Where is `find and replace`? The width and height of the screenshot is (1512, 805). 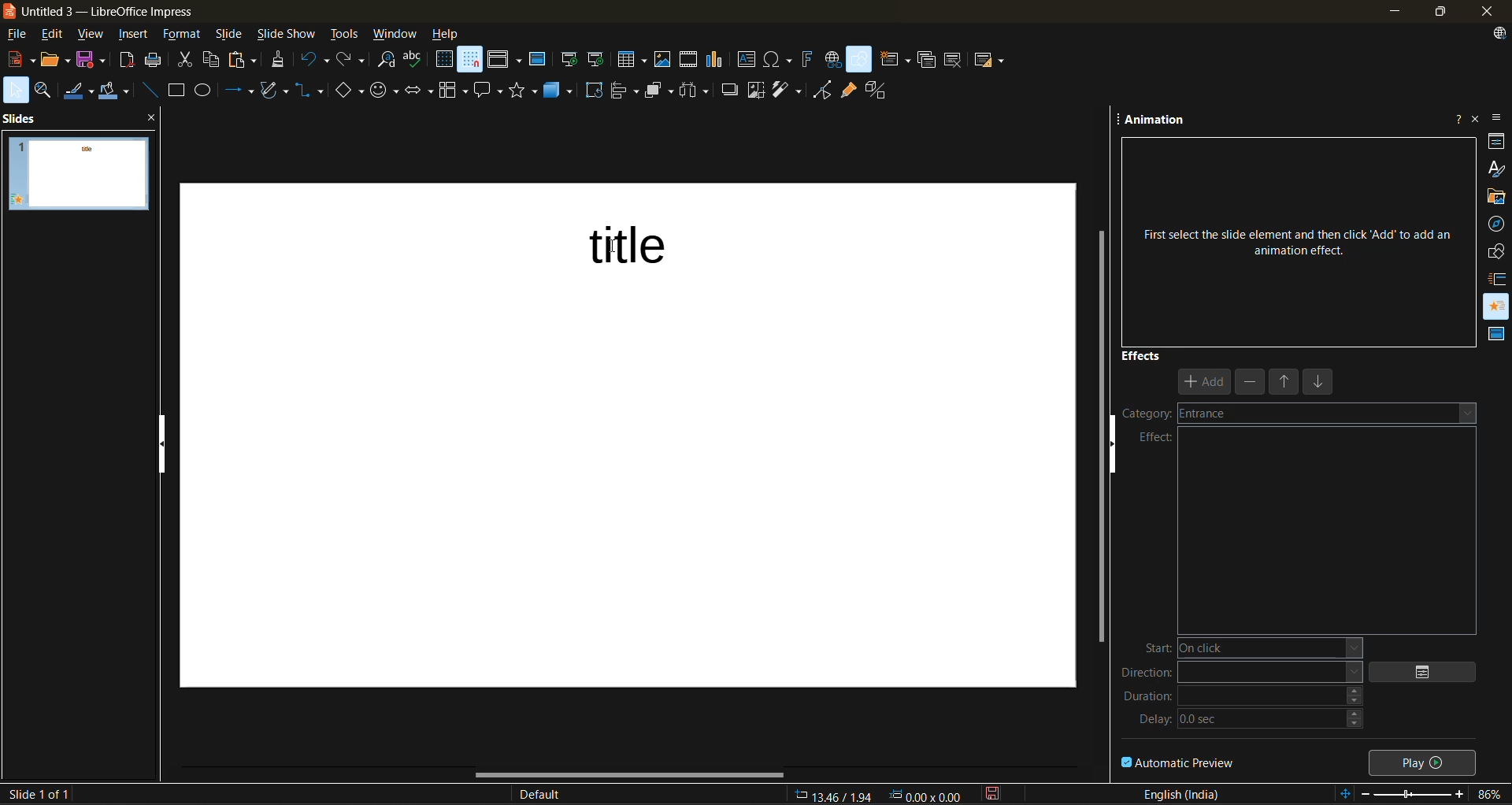 find and replace is located at coordinates (387, 61).